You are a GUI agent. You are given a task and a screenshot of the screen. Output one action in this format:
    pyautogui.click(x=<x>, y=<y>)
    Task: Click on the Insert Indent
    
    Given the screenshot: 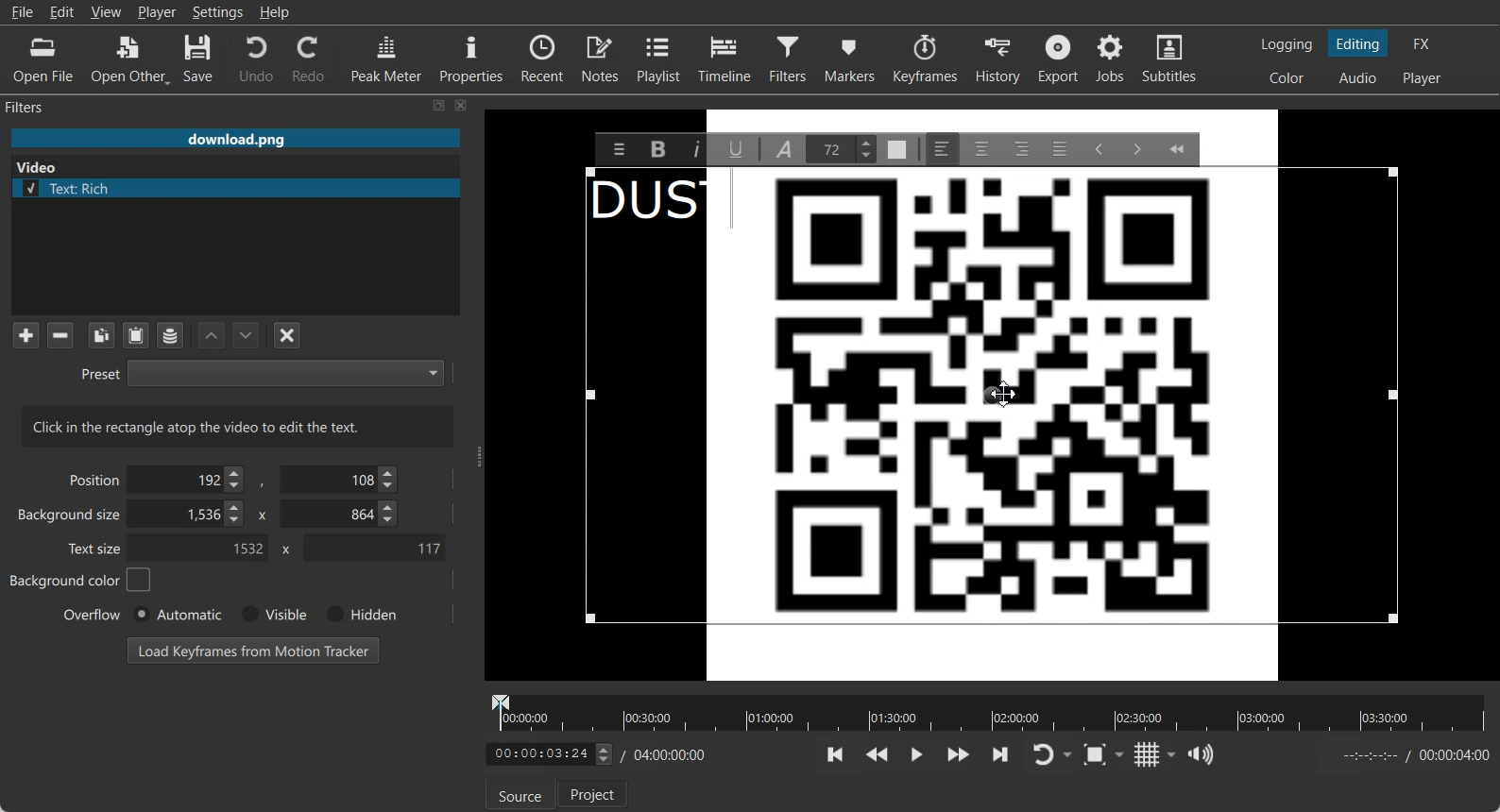 What is the action you would take?
    pyautogui.click(x=1135, y=148)
    